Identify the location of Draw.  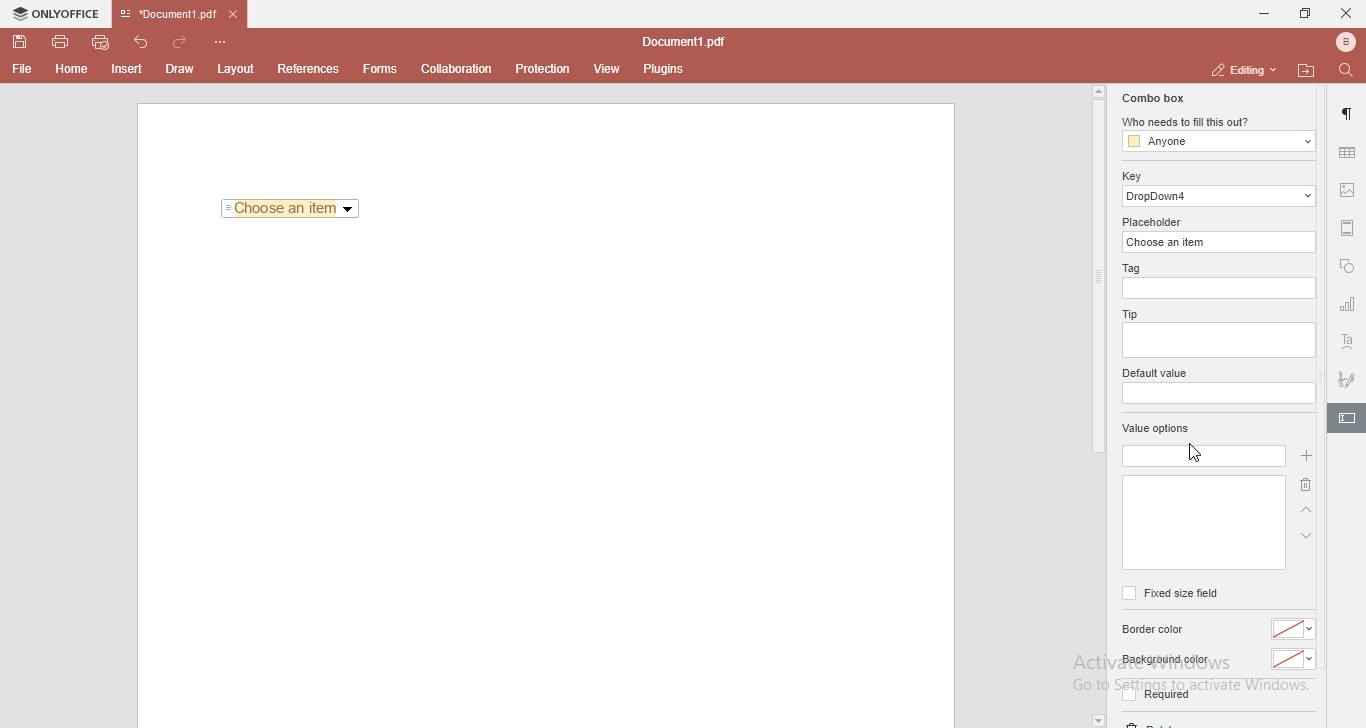
(184, 68).